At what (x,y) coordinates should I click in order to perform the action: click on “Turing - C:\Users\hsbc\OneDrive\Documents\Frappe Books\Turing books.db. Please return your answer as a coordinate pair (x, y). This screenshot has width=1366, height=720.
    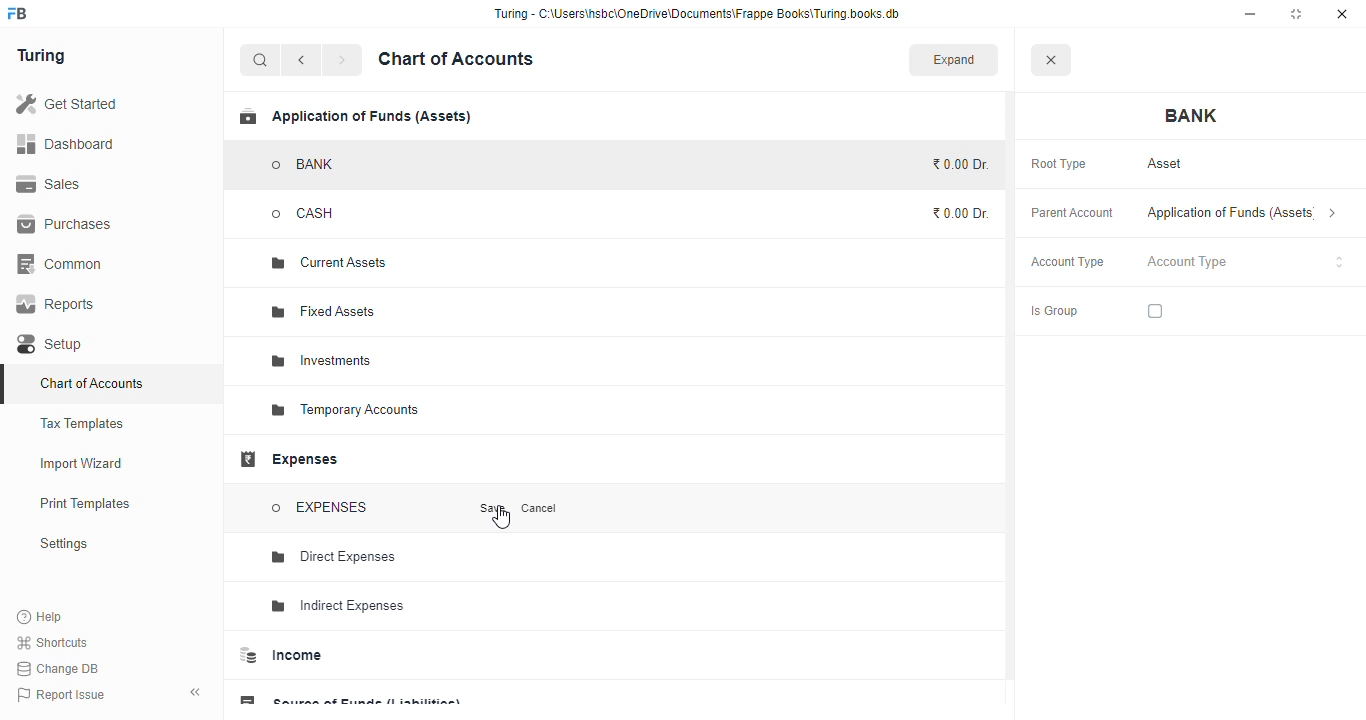
    Looking at the image, I should click on (696, 13).